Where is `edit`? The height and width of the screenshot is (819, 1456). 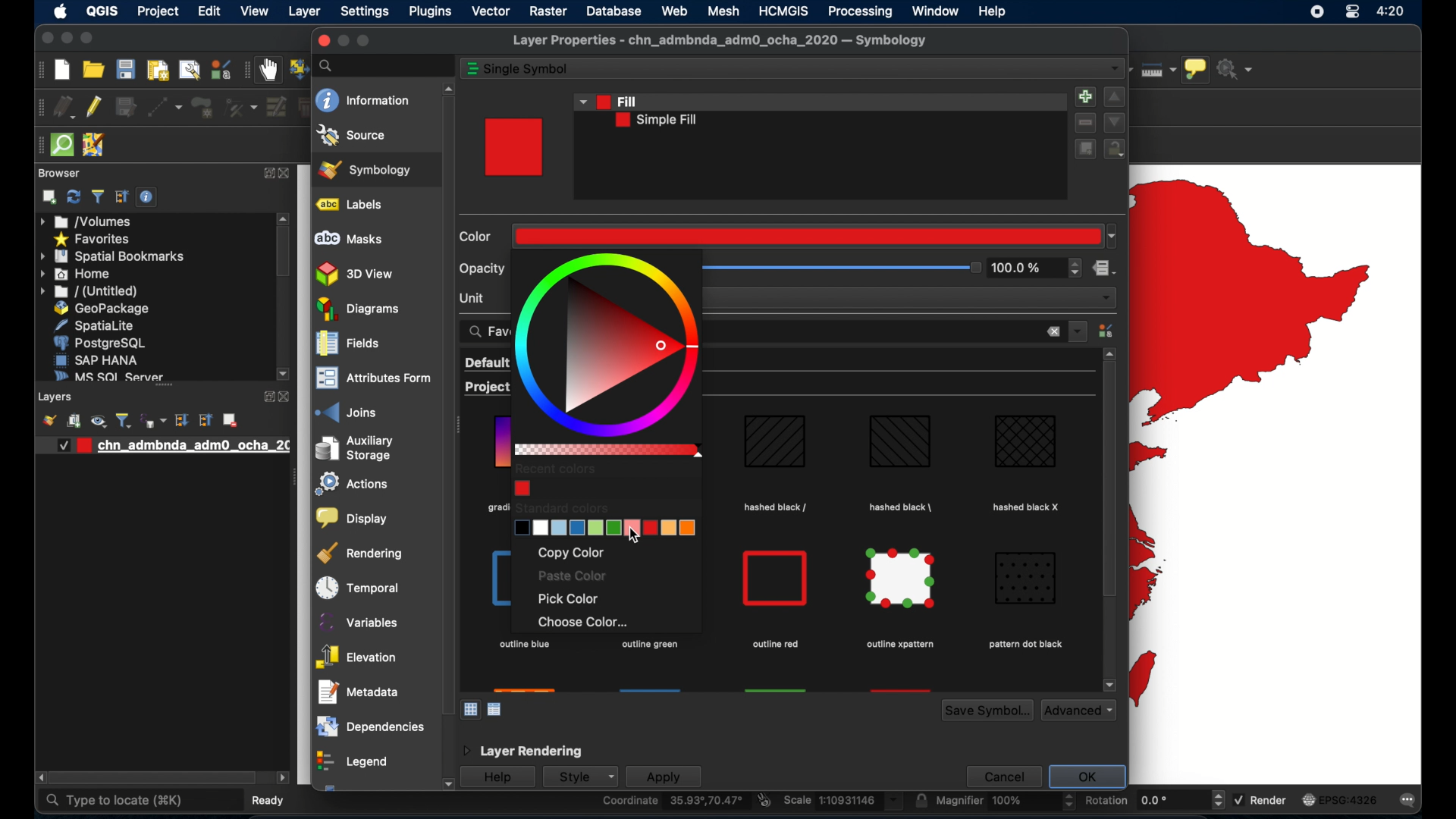 edit is located at coordinates (210, 11).